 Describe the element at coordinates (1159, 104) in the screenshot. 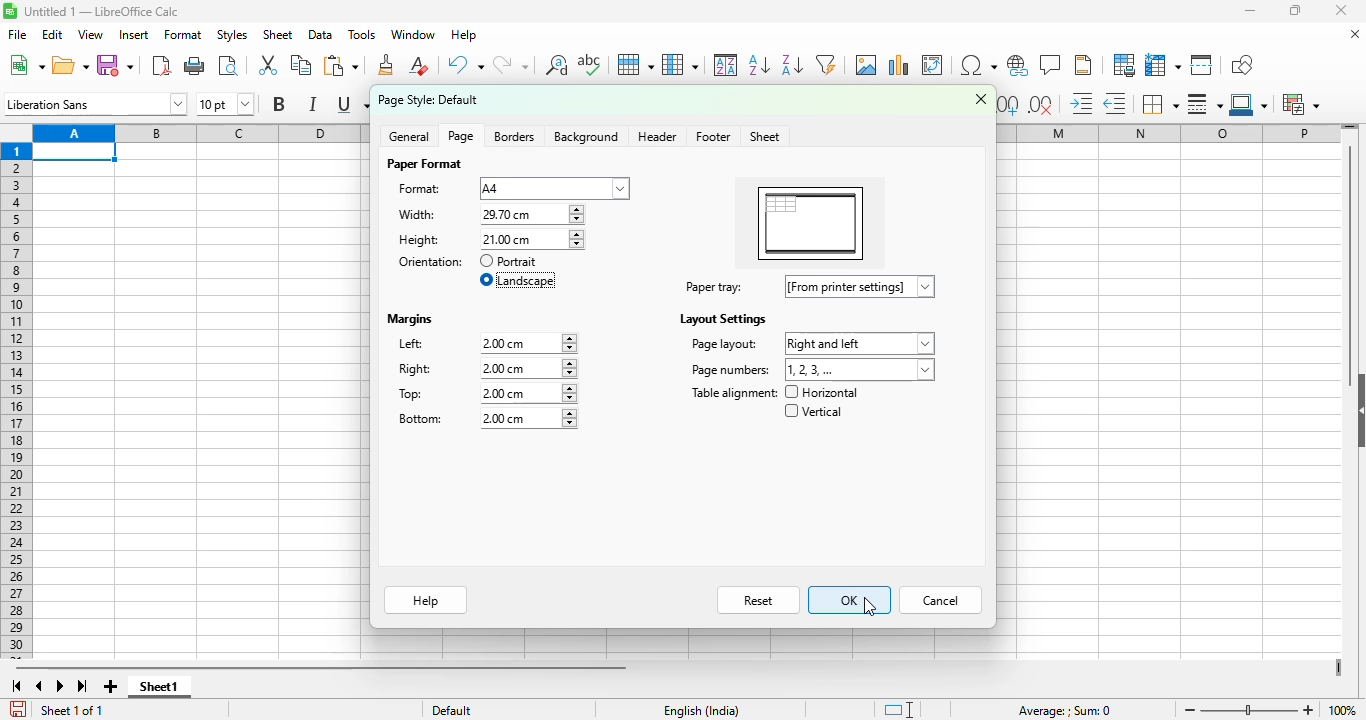

I see `borders` at that location.